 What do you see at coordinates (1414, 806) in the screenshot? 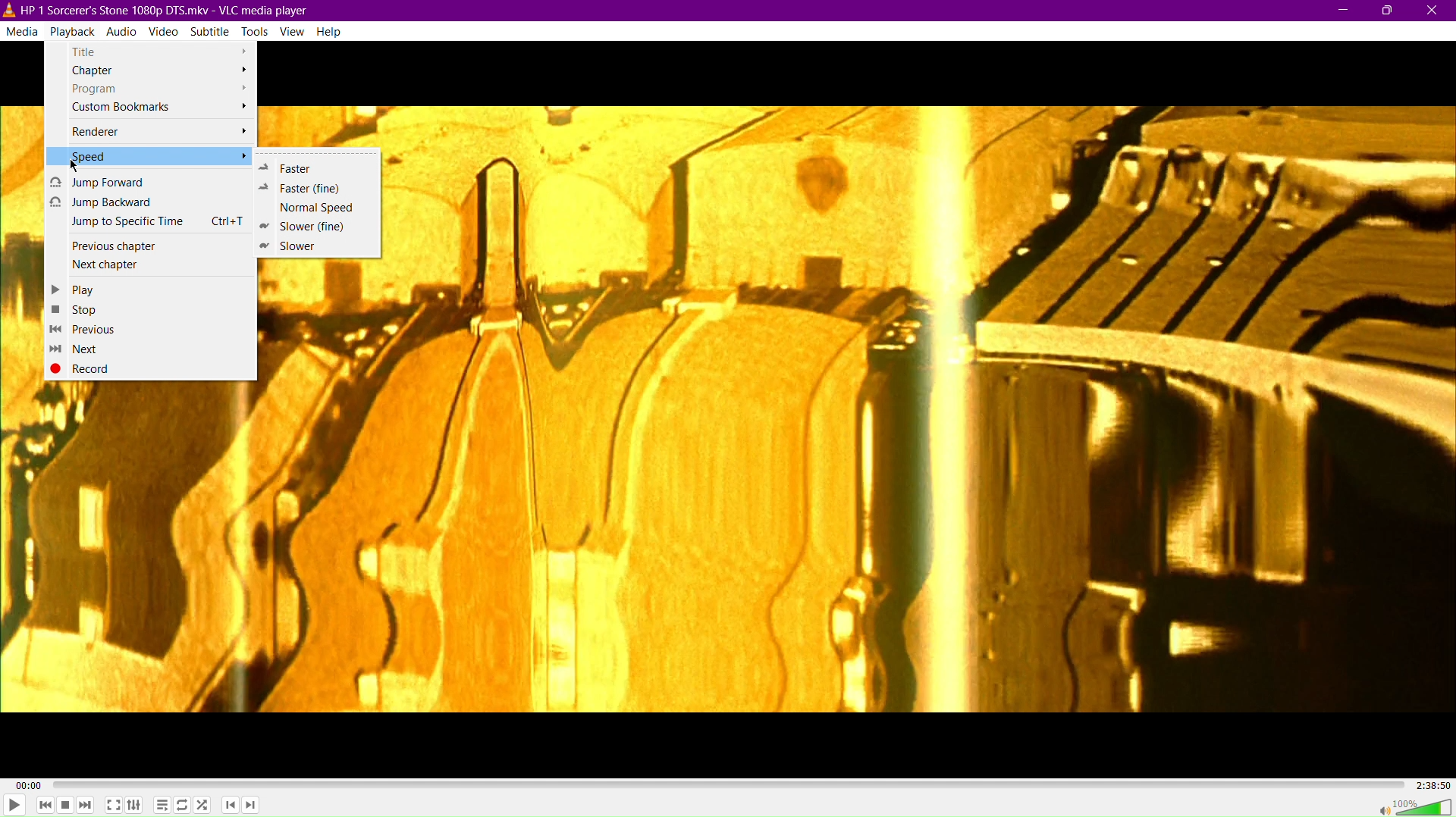
I see `Volume 100%` at bounding box center [1414, 806].